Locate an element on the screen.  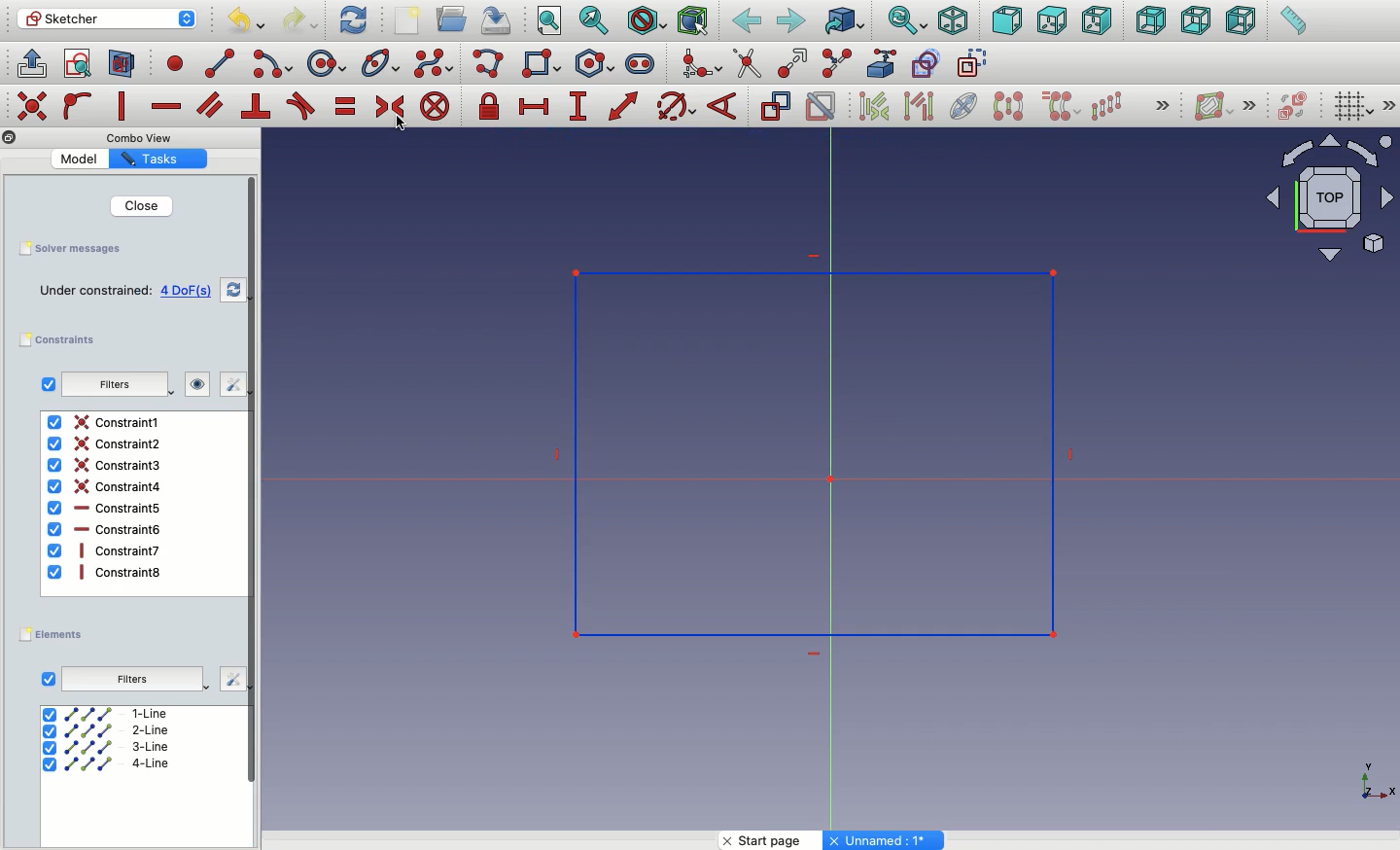
Back is located at coordinates (1152, 20).